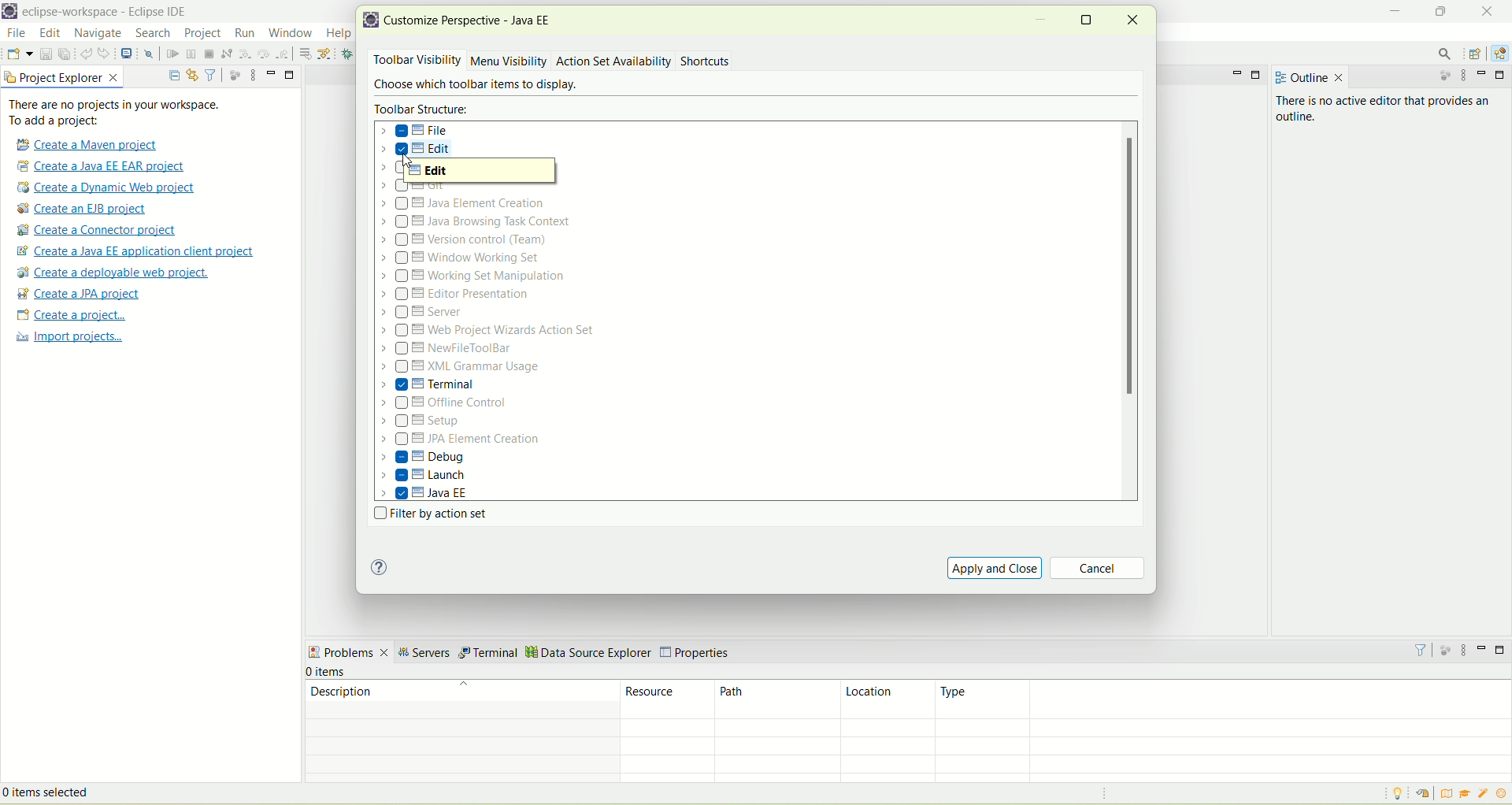 The height and width of the screenshot is (805, 1512). What do you see at coordinates (1395, 794) in the screenshot?
I see `tip of the day` at bounding box center [1395, 794].